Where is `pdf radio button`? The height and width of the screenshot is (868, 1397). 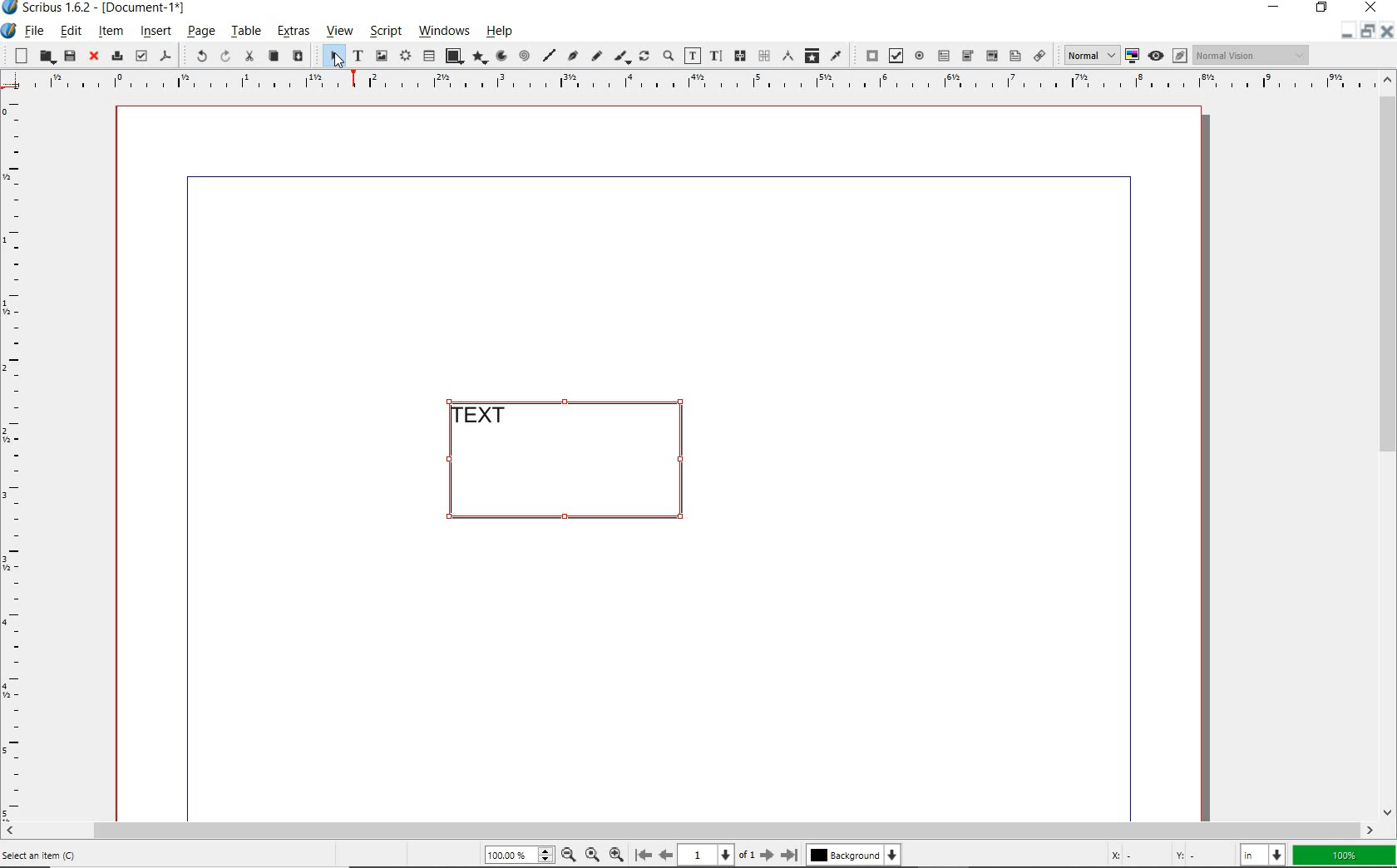 pdf radio button is located at coordinates (920, 56).